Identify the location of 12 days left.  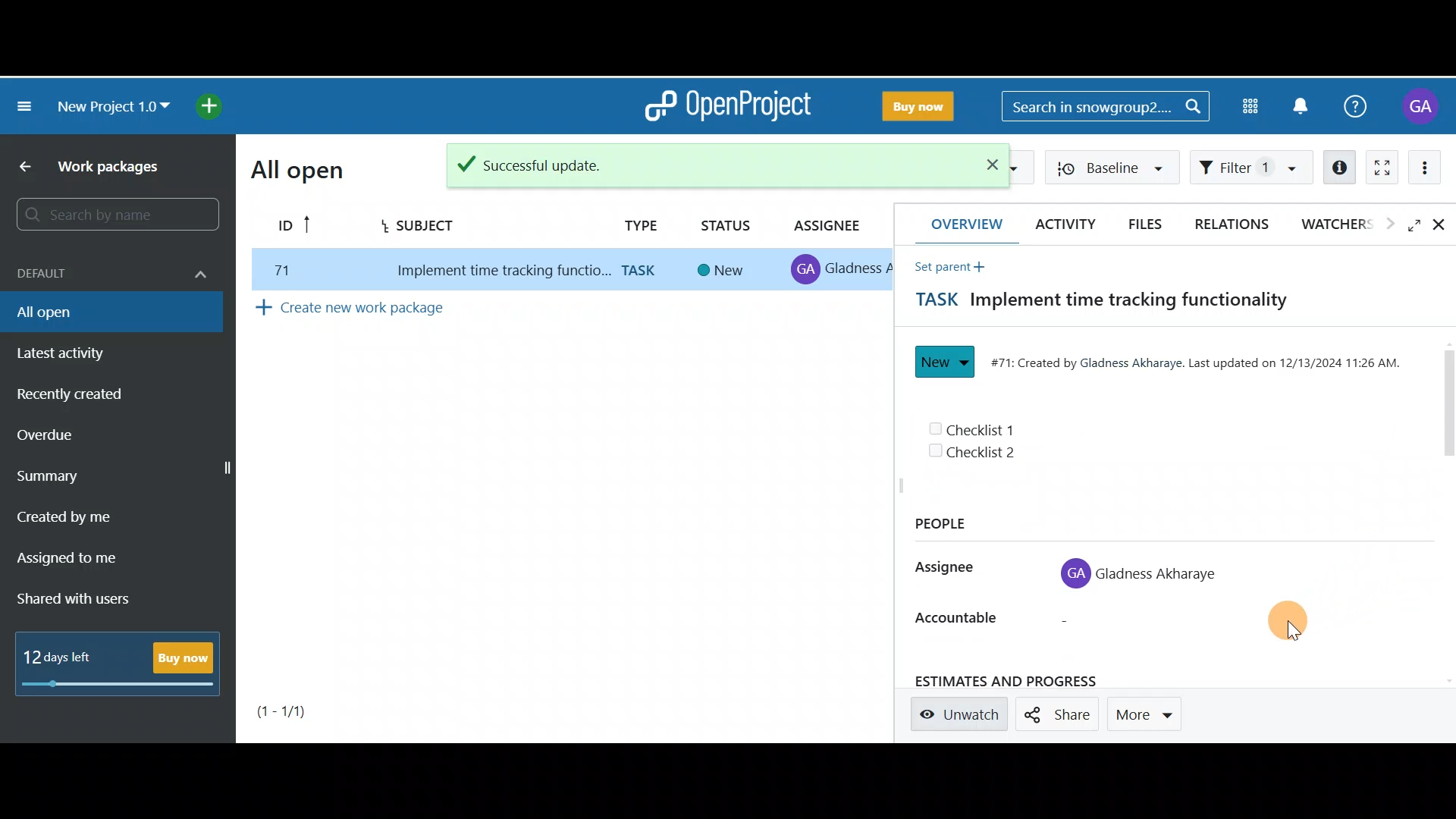
(61, 657).